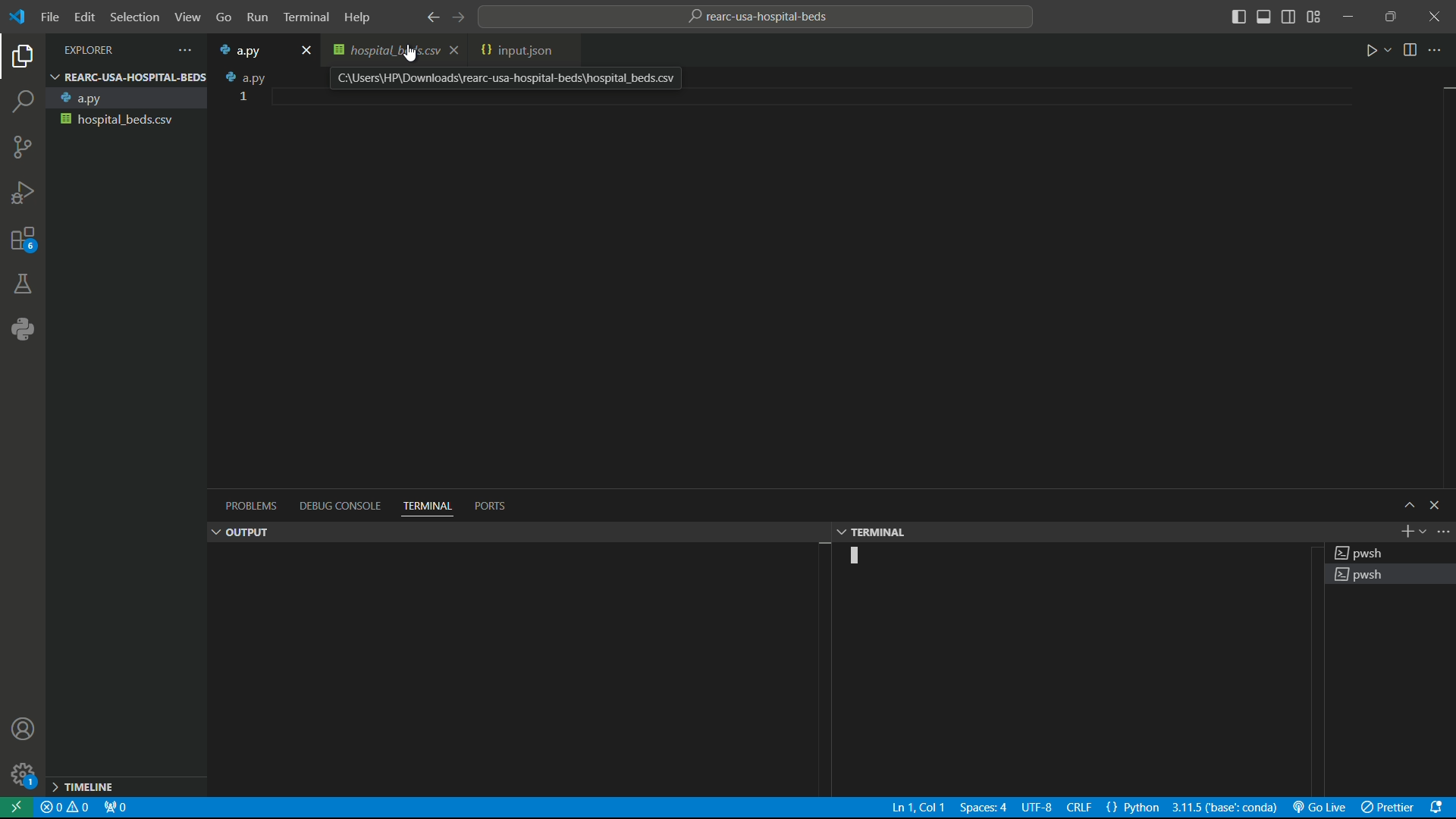 This screenshot has height=819, width=1456. Describe the element at coordinates (1351, 17) in the screenshot. I see `minimize` at that location.